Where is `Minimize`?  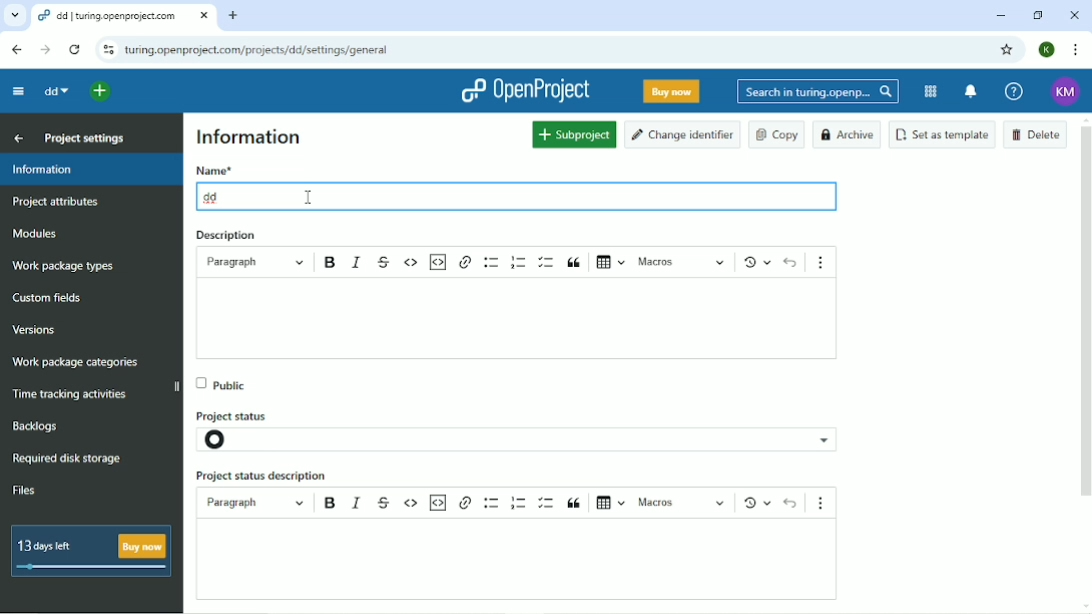
Minimize is located at coordinates (1001, 16).